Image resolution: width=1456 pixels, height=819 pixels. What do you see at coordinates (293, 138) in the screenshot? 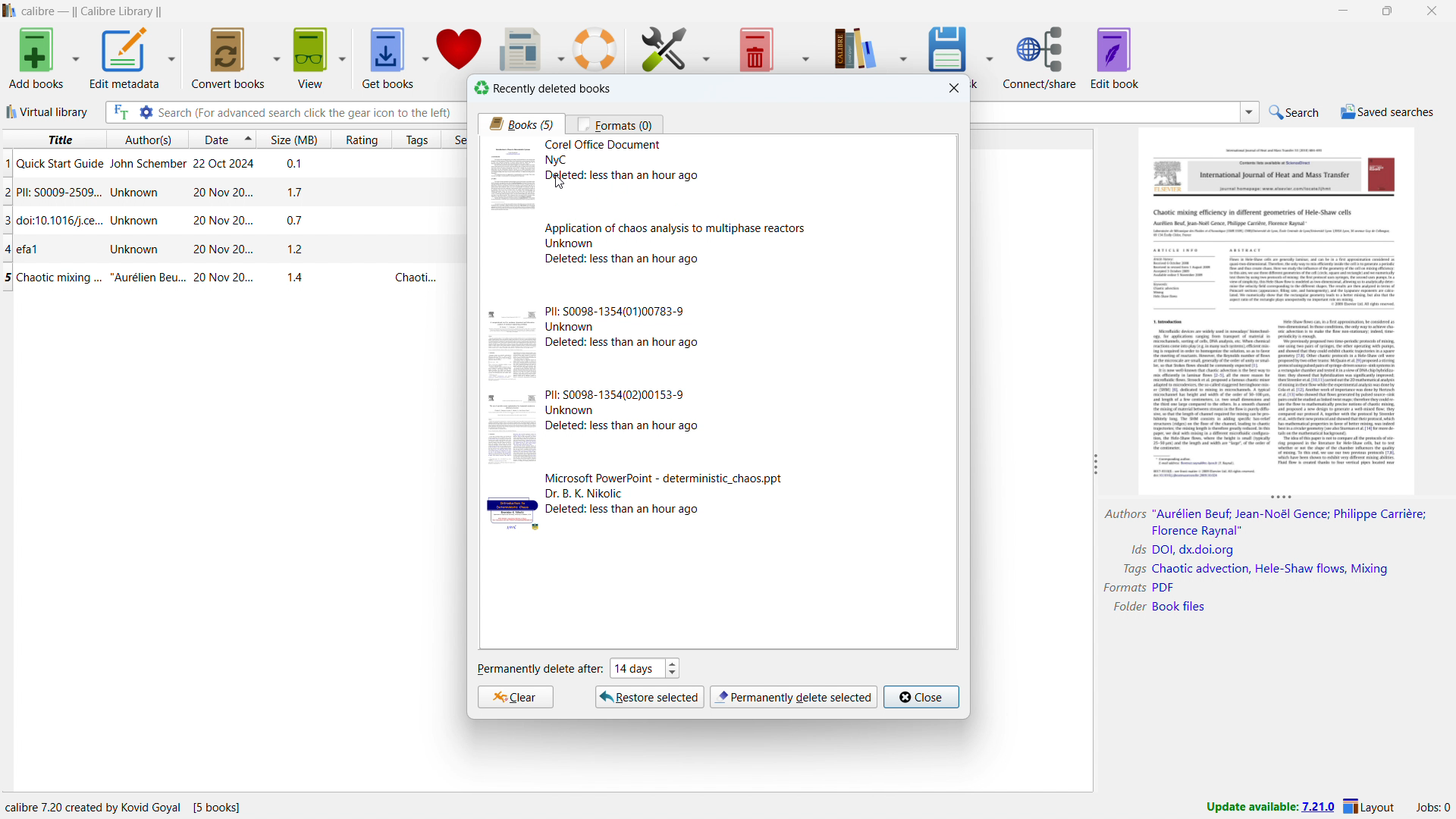
I see `sort by size` at bounding box center [293, 138].